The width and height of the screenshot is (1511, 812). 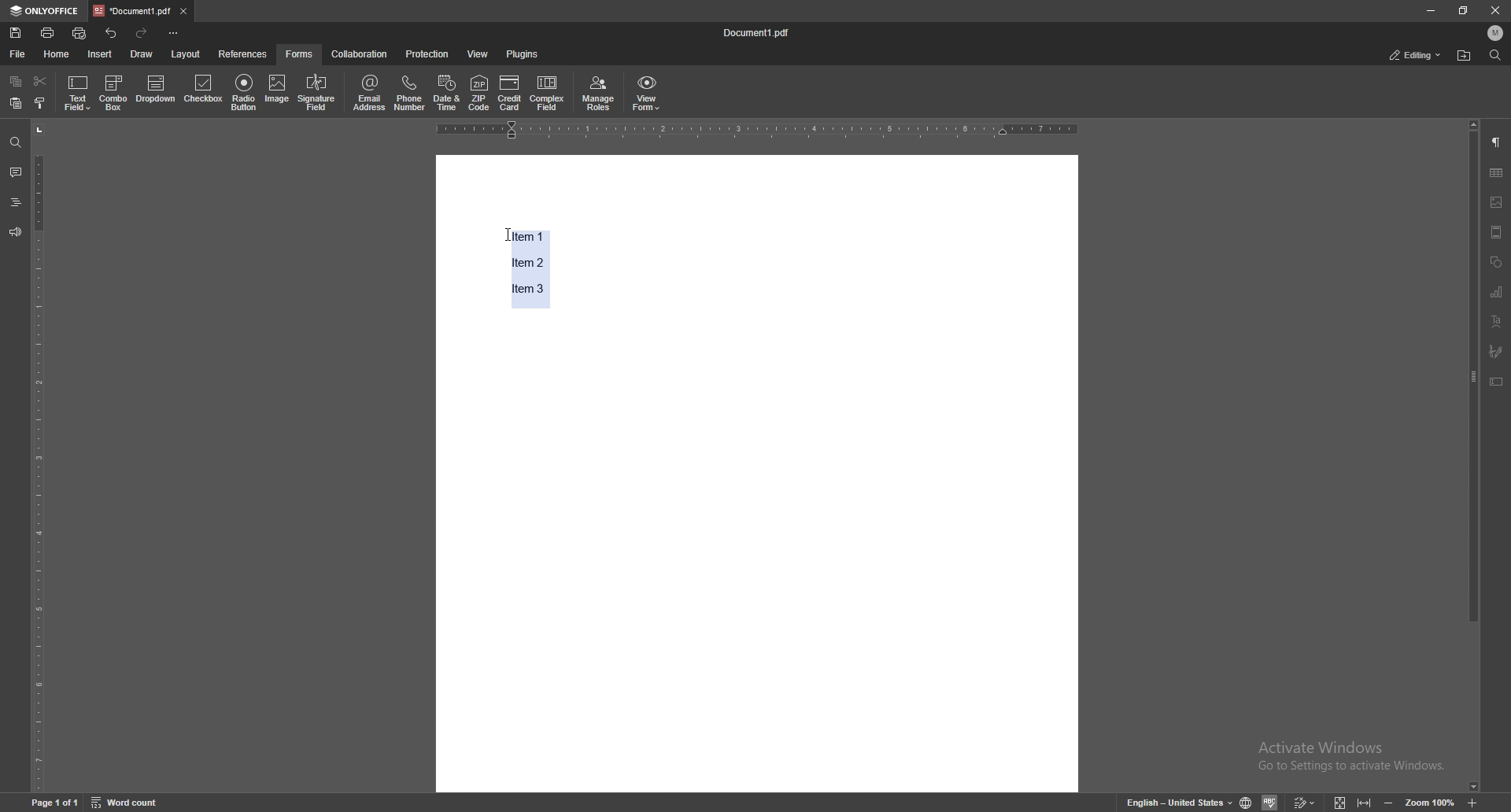 What do you see at coordinates (174, 34) in the screenshot?
I see `customize toolbar` at bounding box center [174, 34].